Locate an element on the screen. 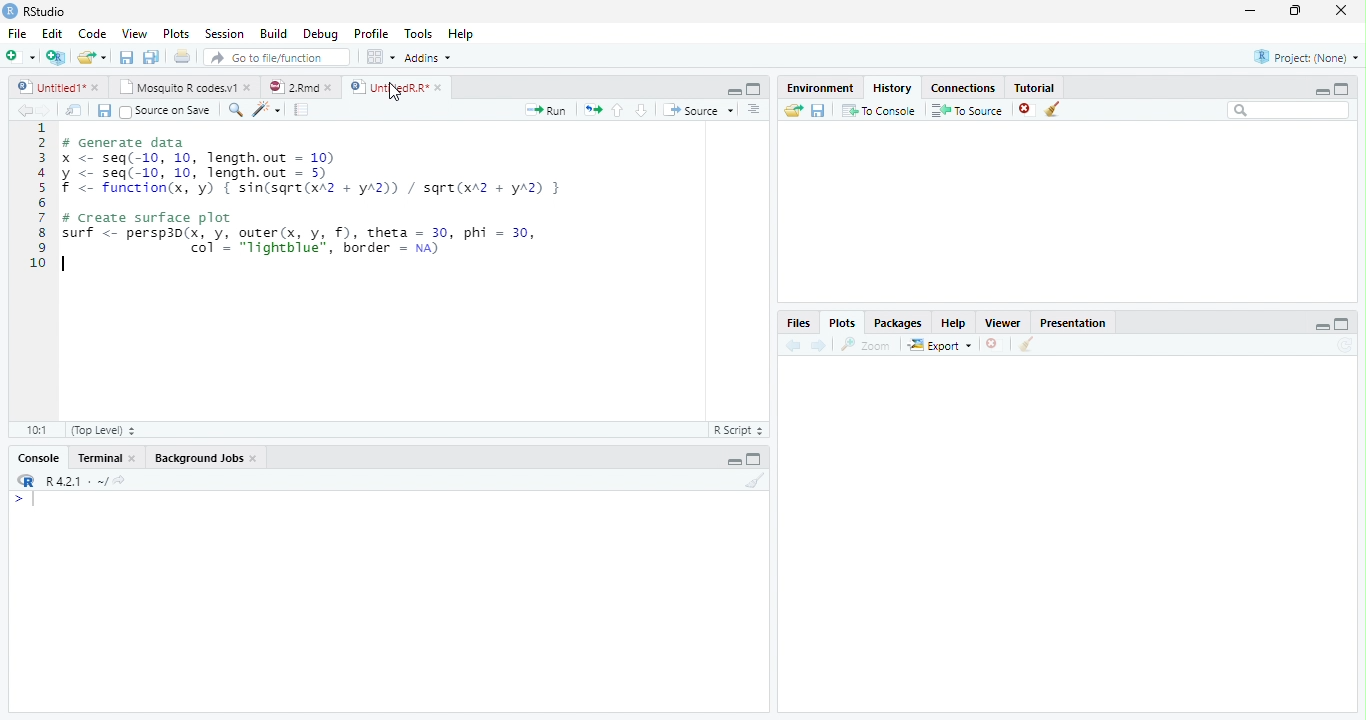 This screenshot has height=720, width=1366. Tools is located at coordinates (416, 32).